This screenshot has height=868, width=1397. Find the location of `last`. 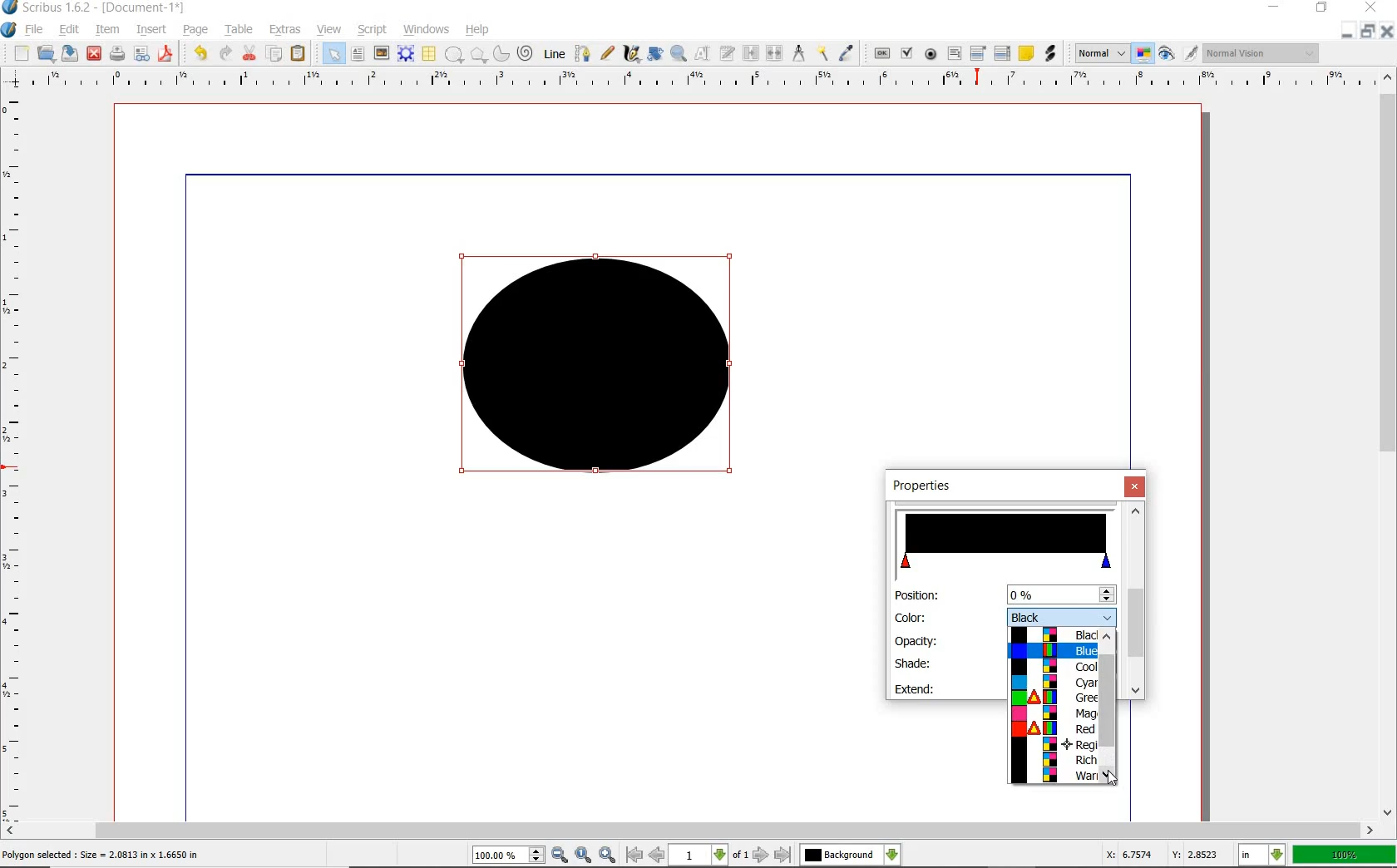

last is located at coordinates (782, 856).